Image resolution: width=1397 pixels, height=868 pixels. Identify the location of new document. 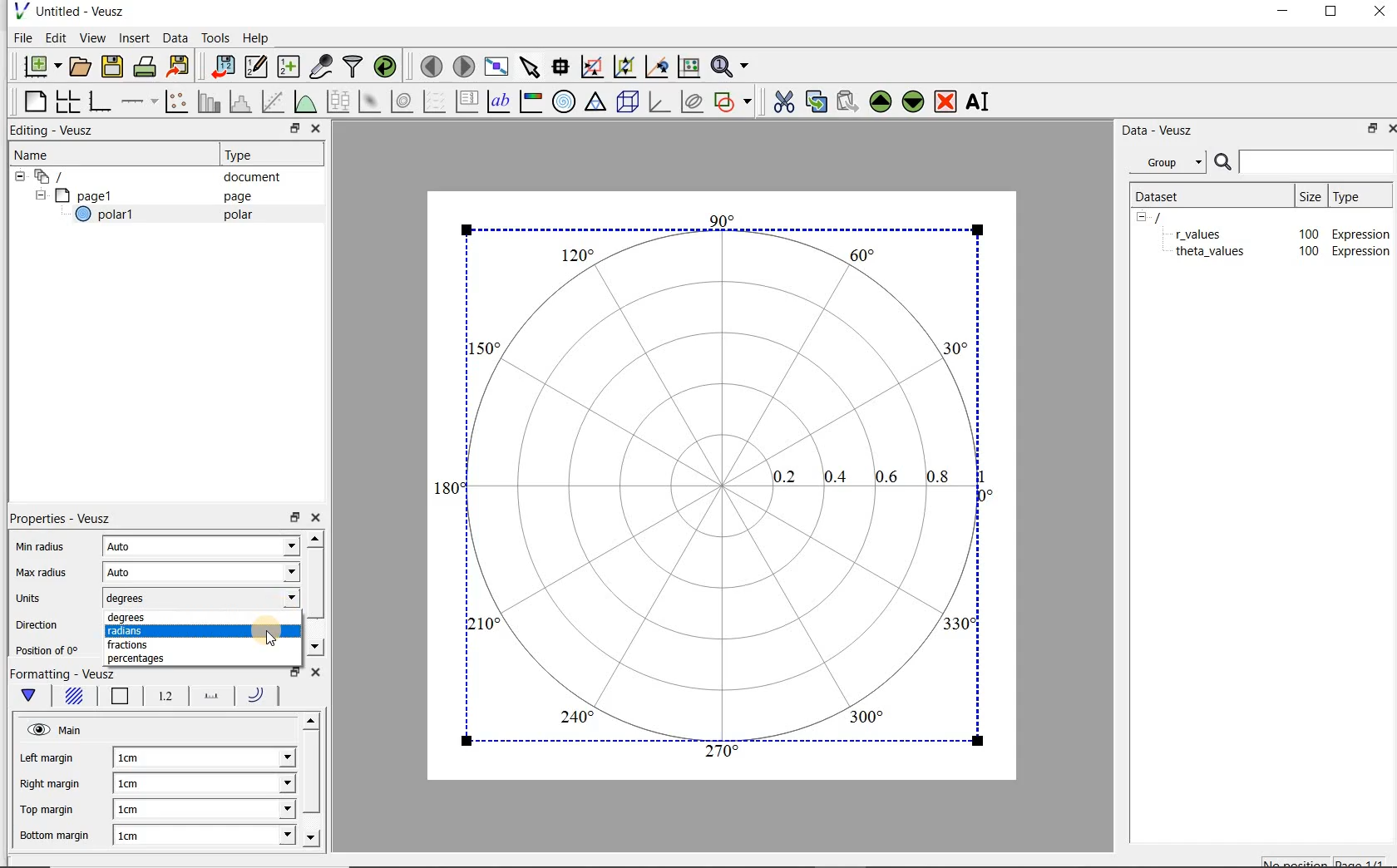
(38, 64).